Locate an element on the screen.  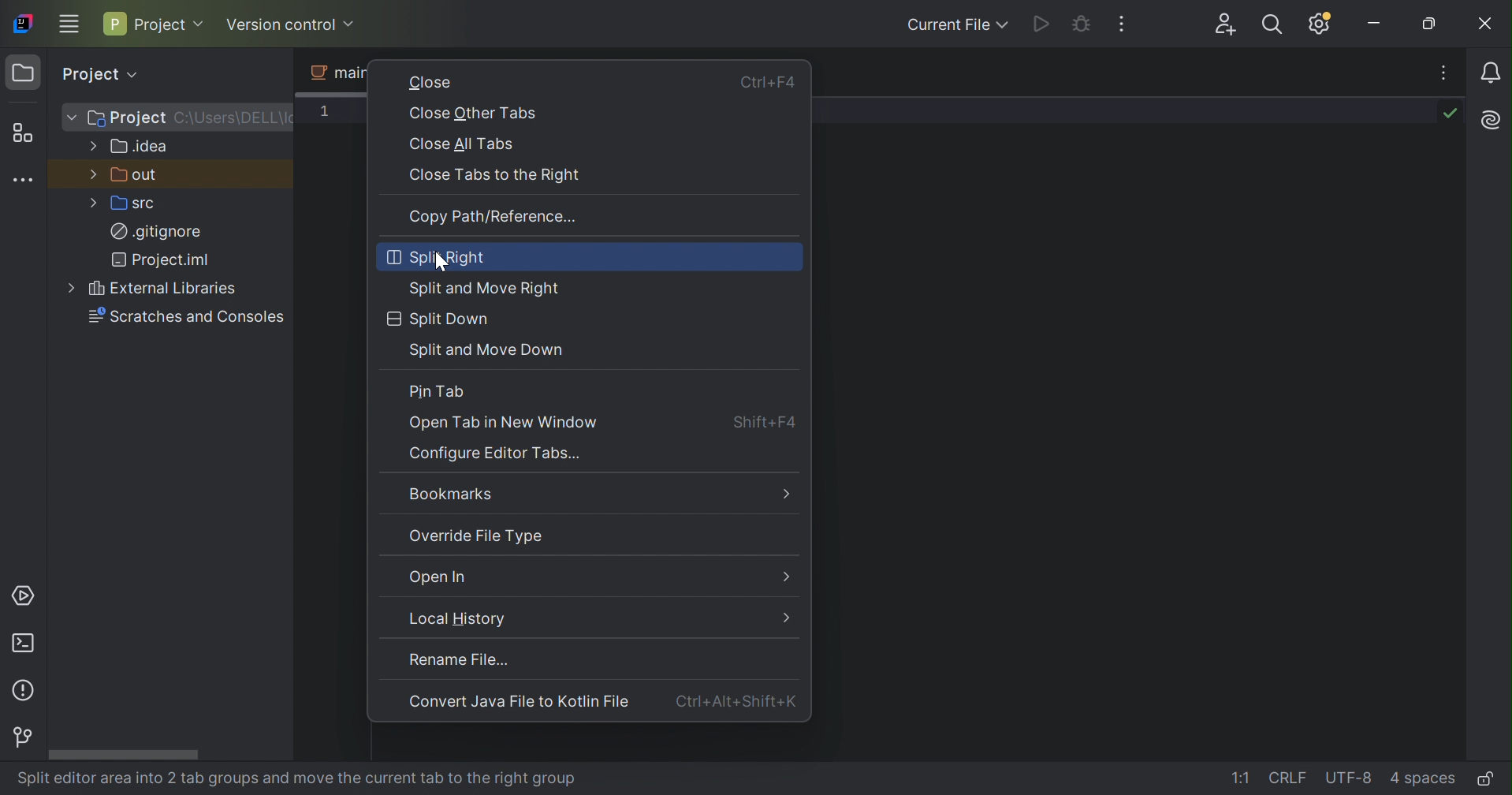
.gitignore is located at coordinates (157, 233).